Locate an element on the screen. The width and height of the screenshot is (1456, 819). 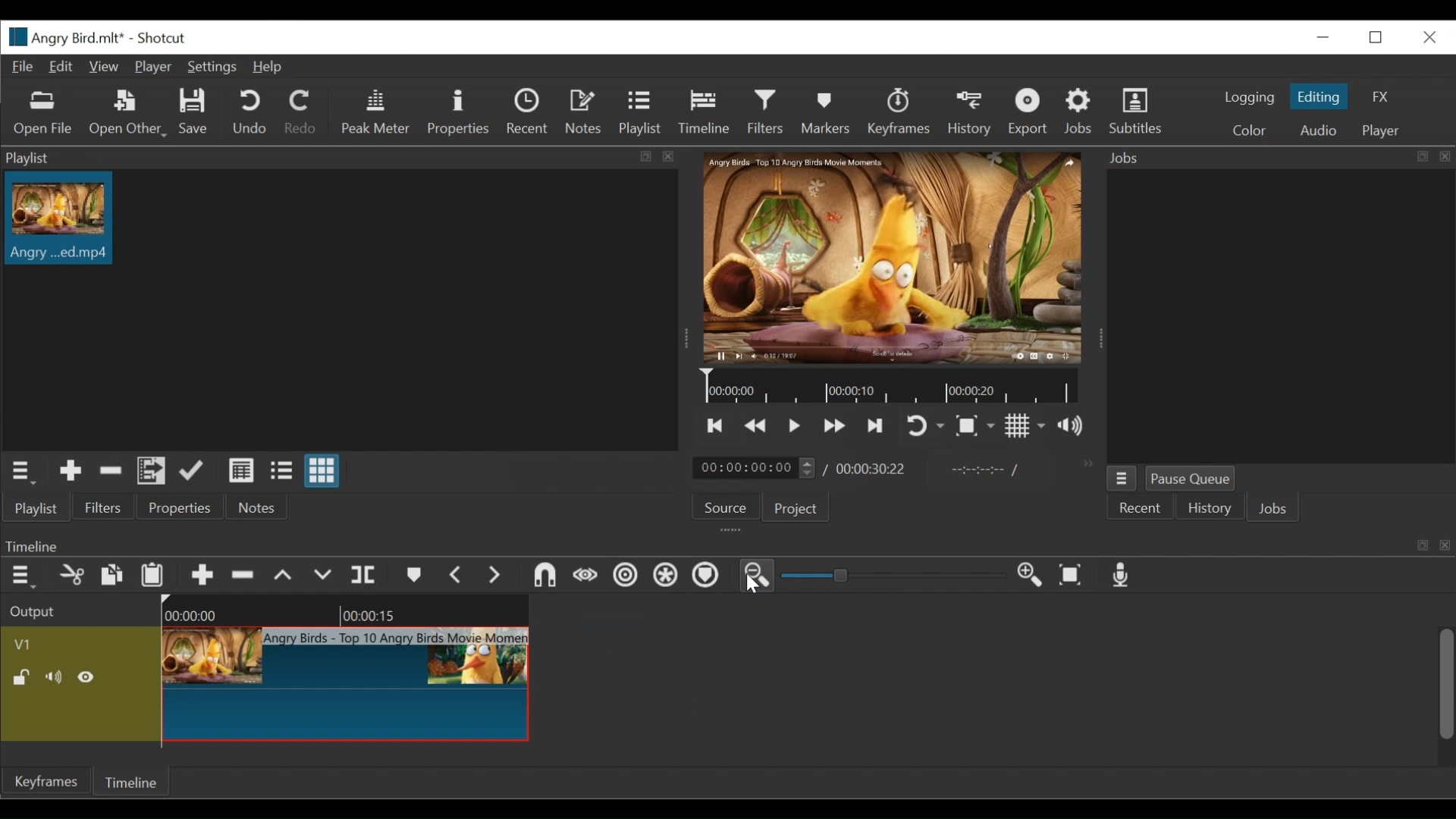
Jobs Panel is located at coordinates (1278, 158).